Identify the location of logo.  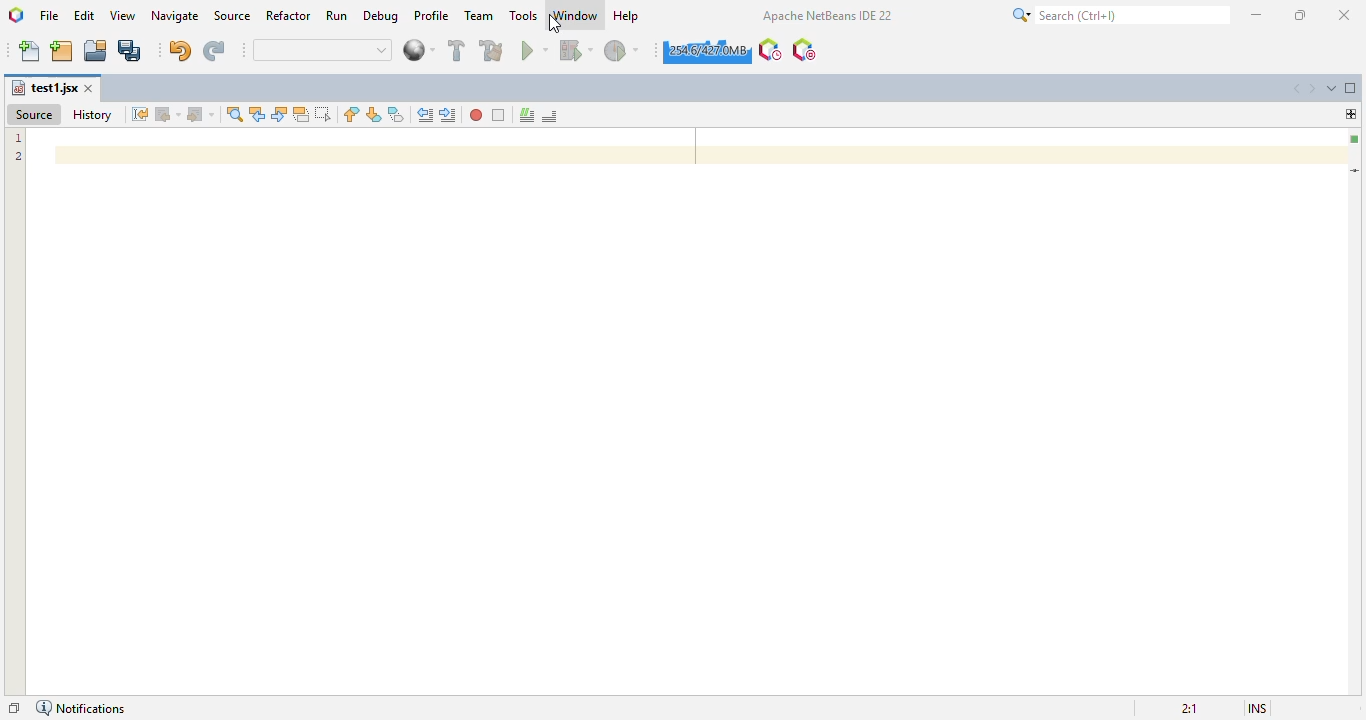
(16, 15).